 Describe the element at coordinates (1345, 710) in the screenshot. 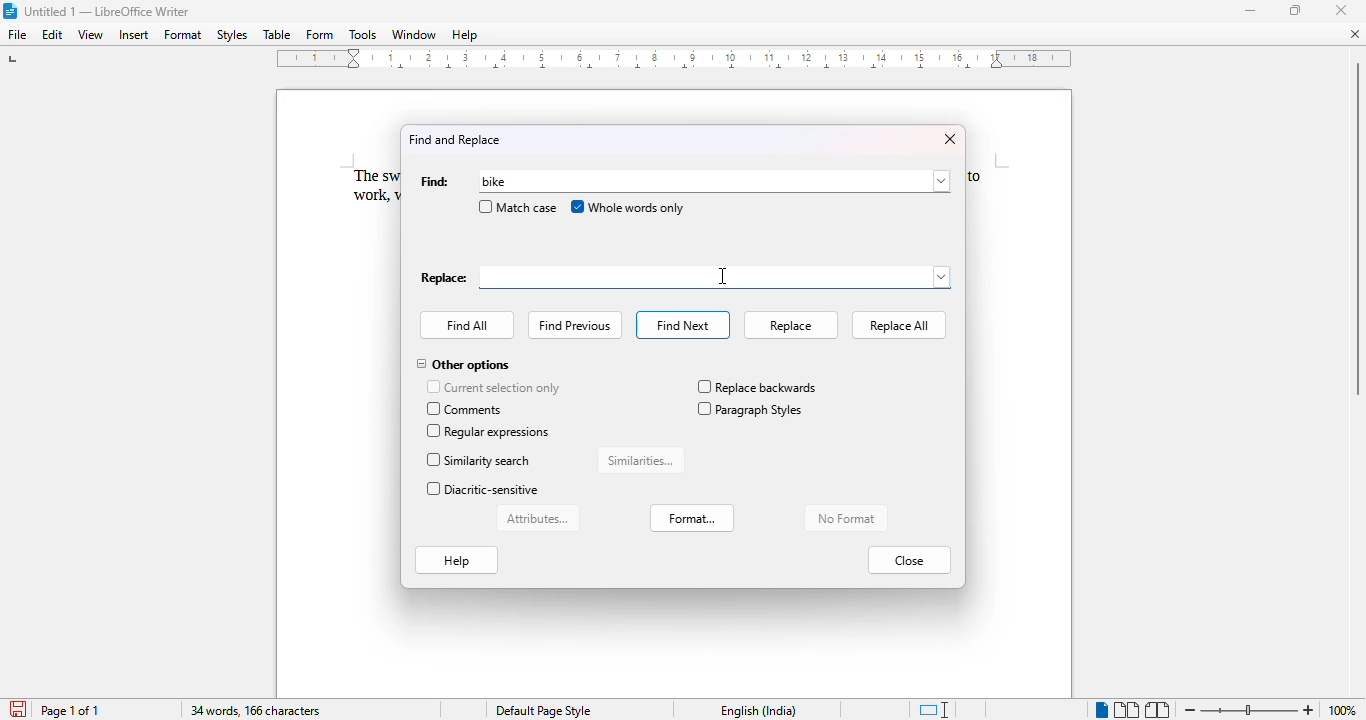

I see `100% (current zoom level)` at that location.